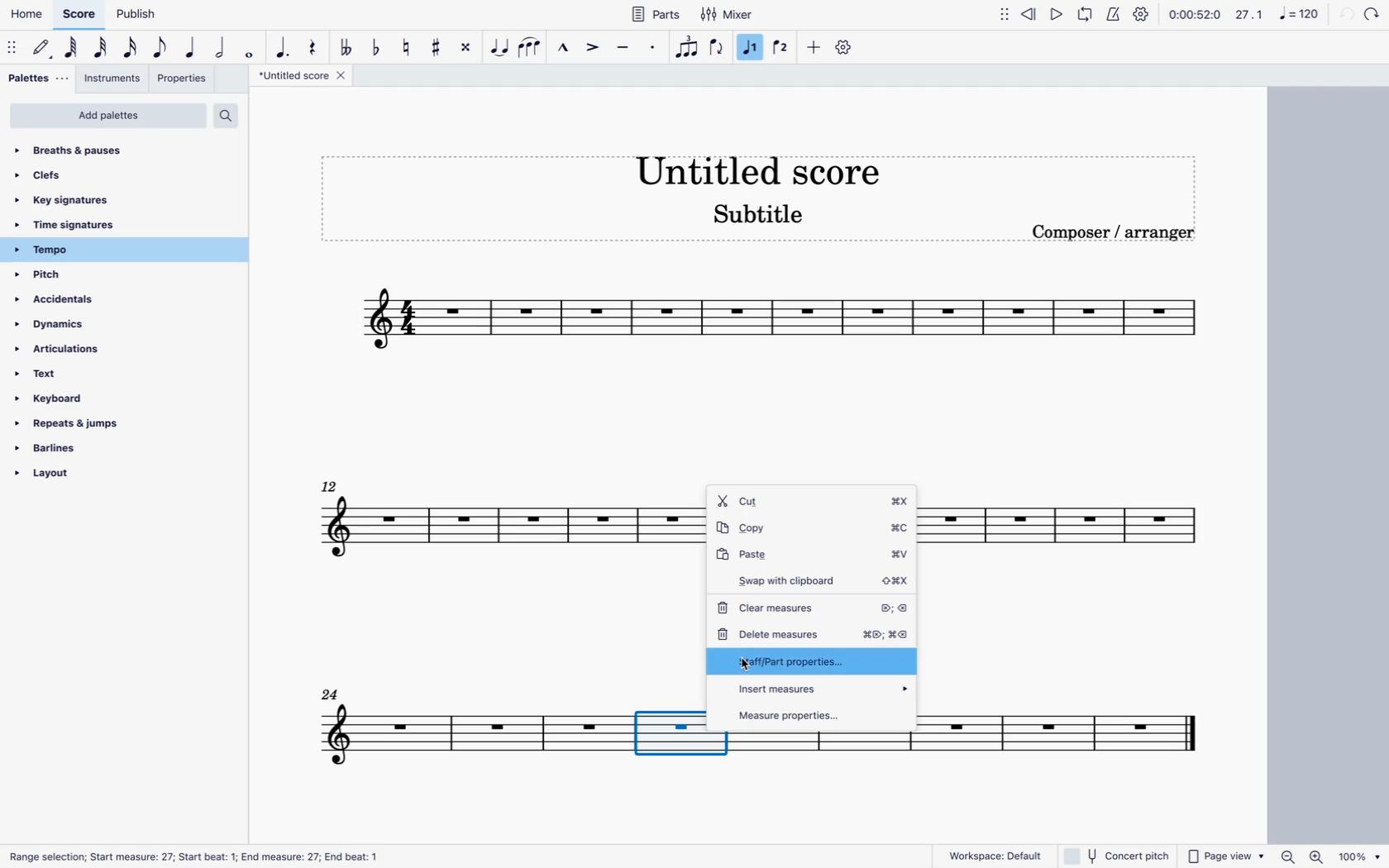 Image resolution: width=1389 pixels, height=868 pixels. I want to click on insert measures, so click(819, 689).